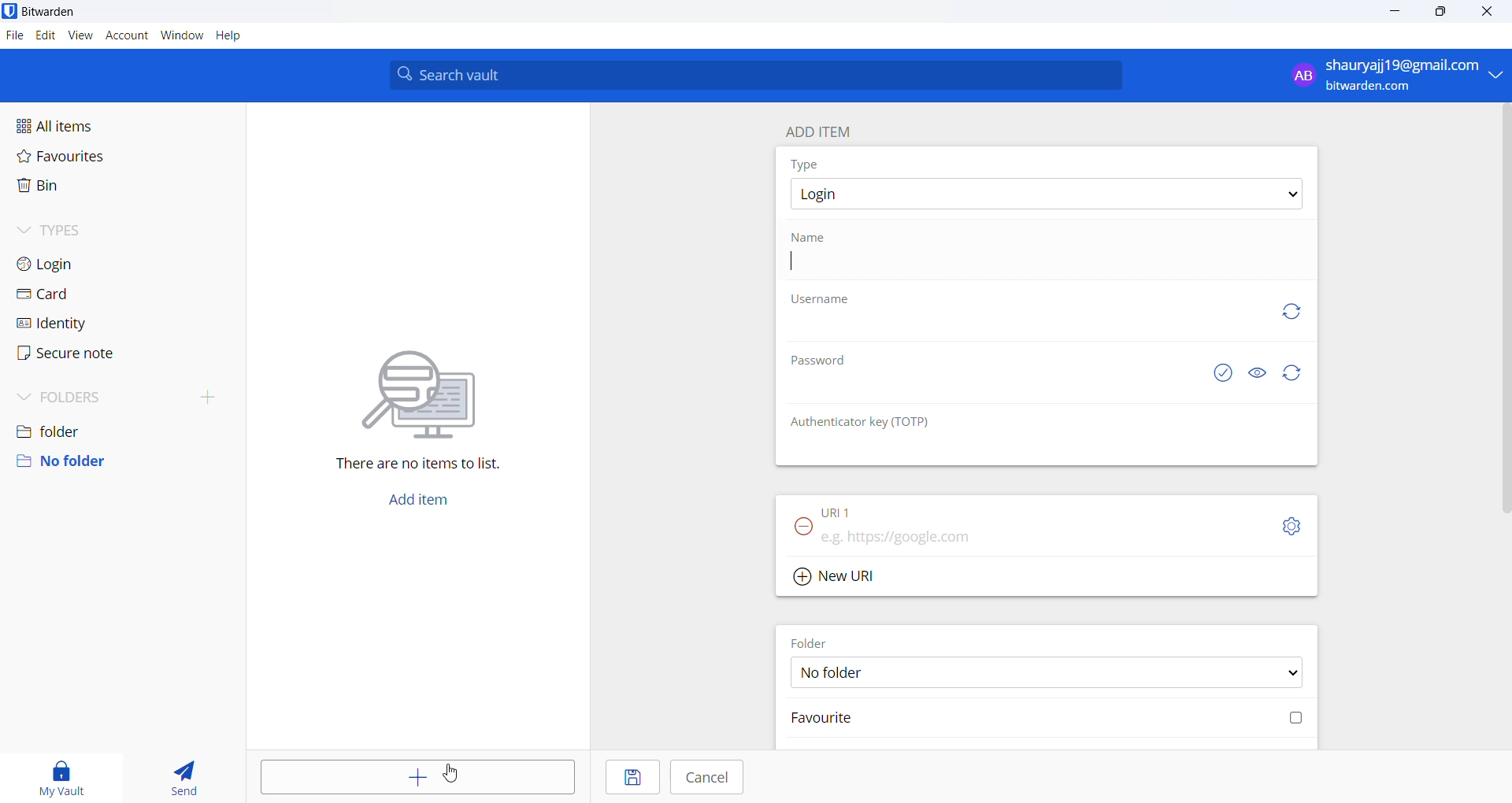  Describe the element at coordinates (125, 36) in the screenshot. I see `account` at that location.